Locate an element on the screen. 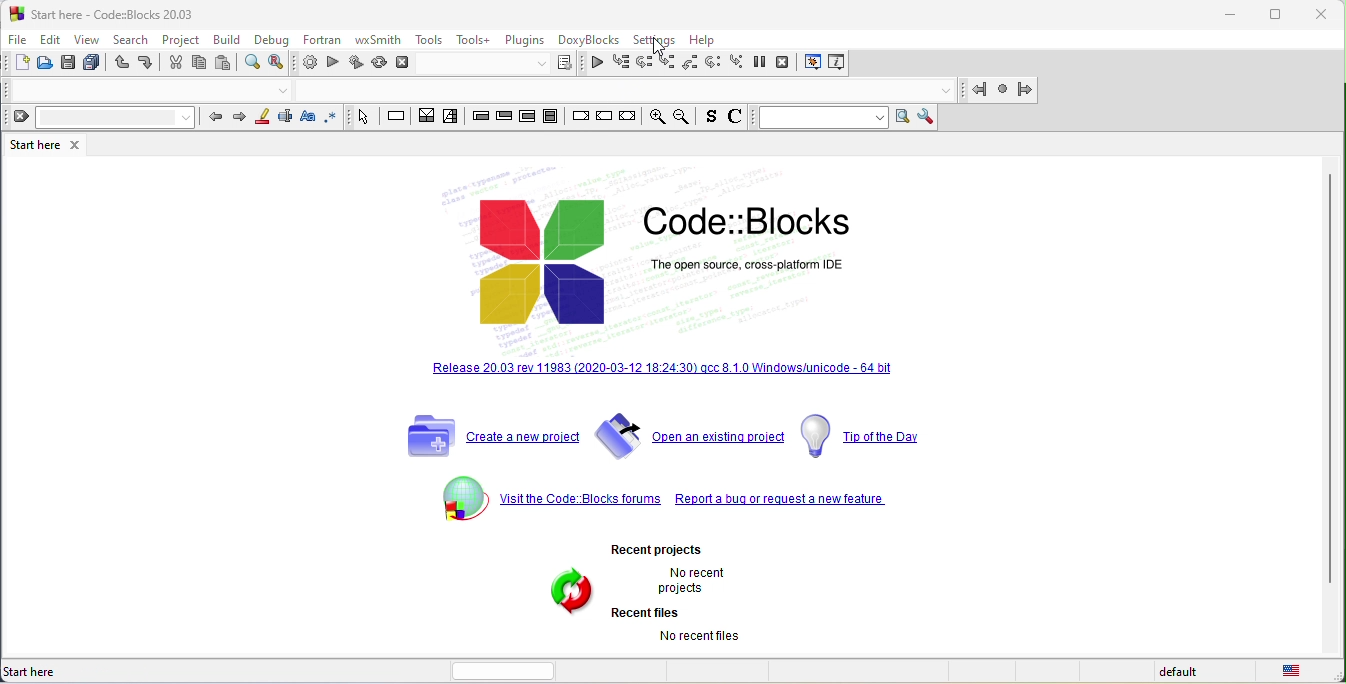 The height and width of the screenshot is (684, 1346). rebuild is located at coordinates (381, 62).